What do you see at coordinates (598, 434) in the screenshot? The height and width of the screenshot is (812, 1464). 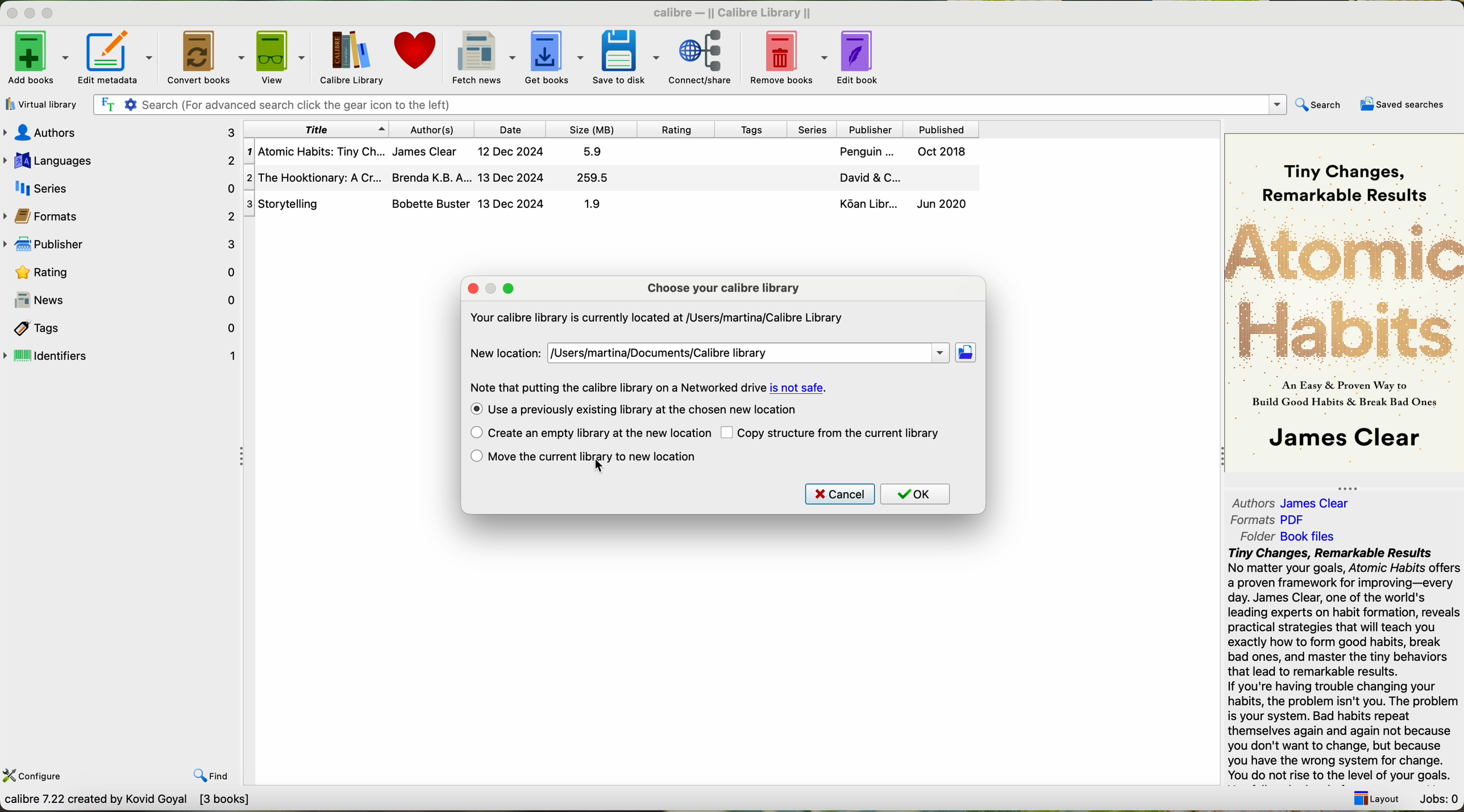 I see `create an empty library at the new location` at bounding box center [598, 434].